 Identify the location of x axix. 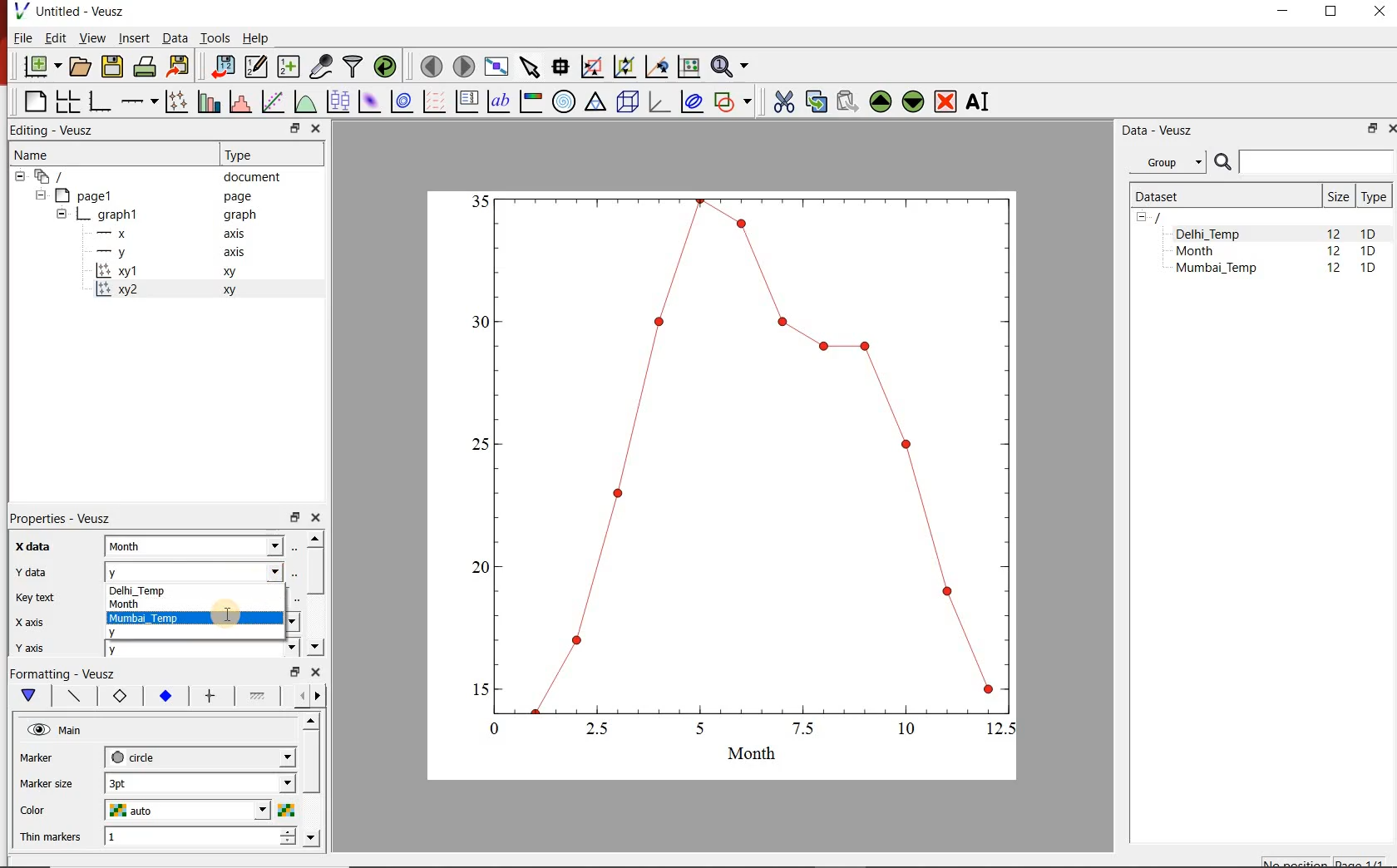
(26, 620).